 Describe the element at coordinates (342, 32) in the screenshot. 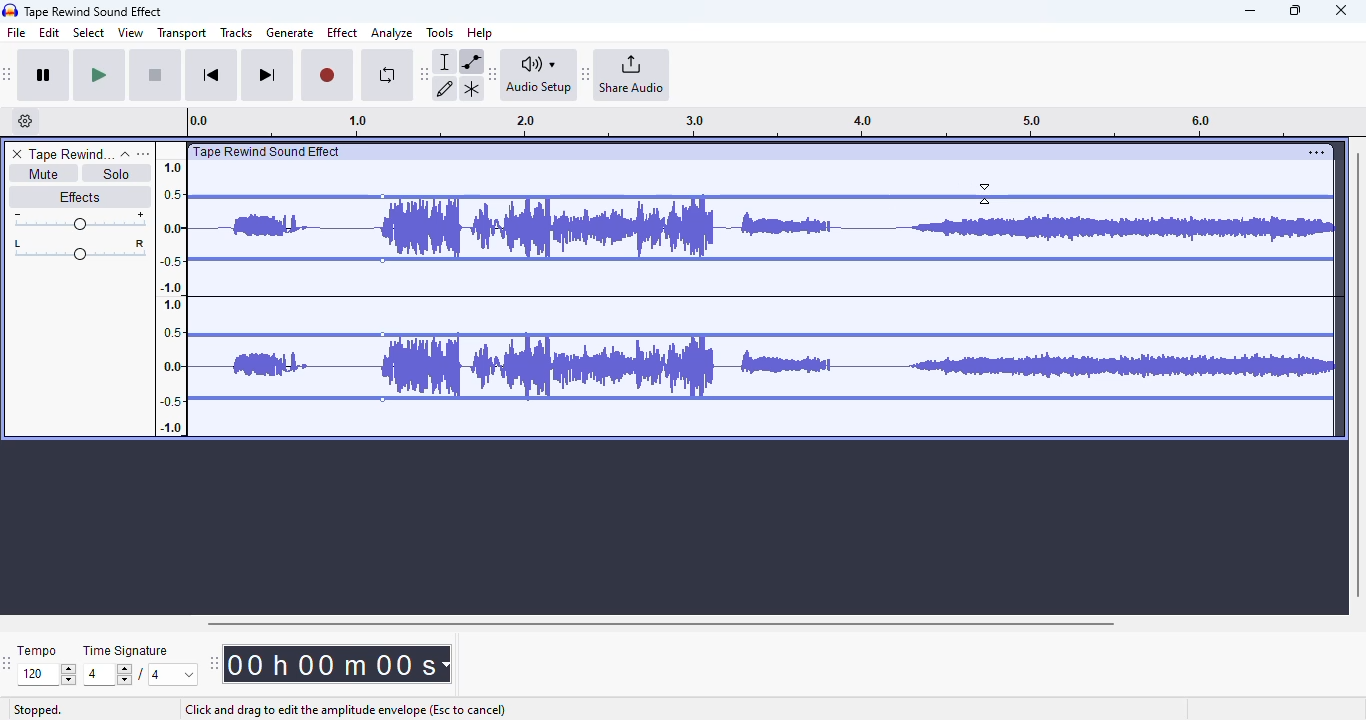

I see `effect` at that location.